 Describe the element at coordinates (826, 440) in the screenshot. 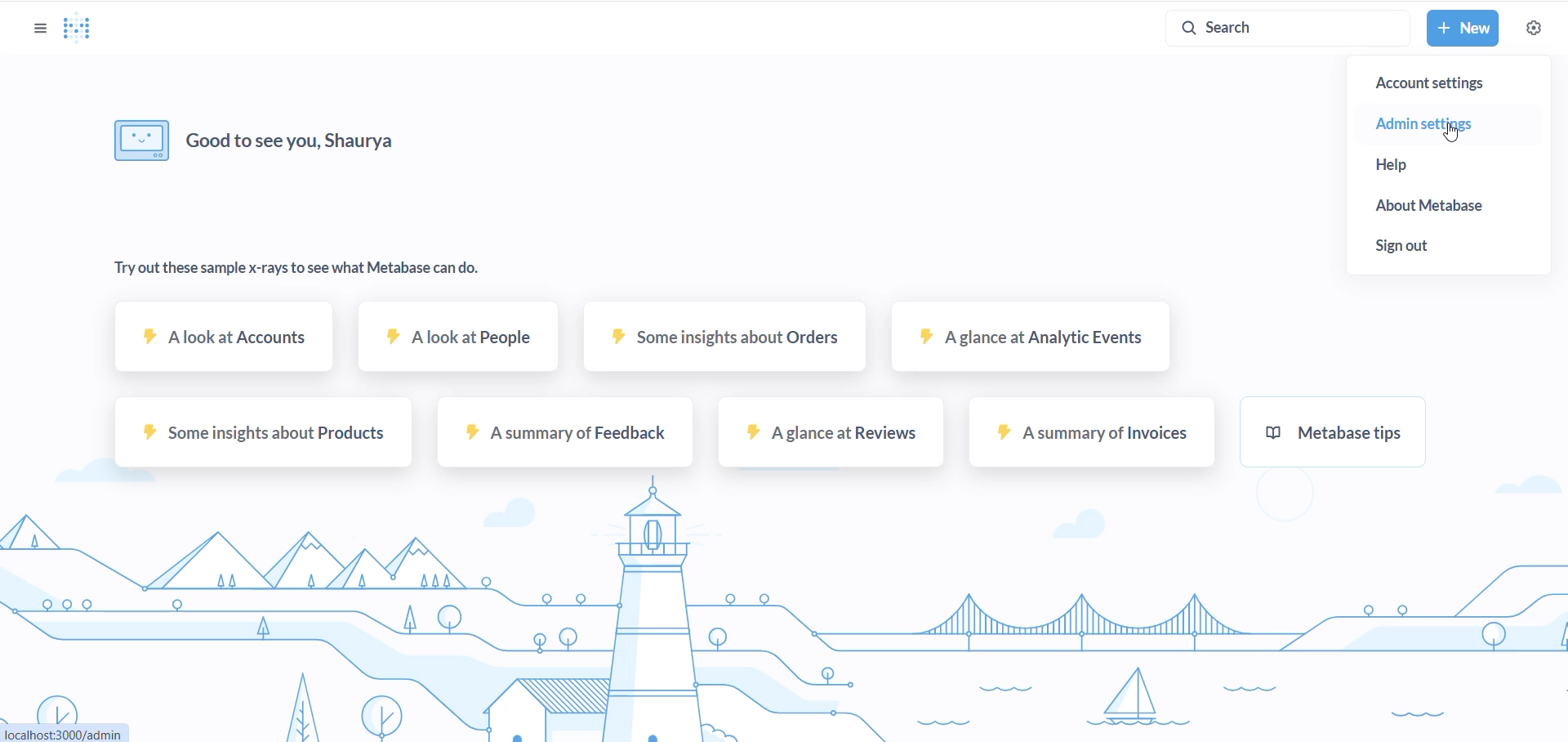

I see `A glance at Reviews sample` at that location.